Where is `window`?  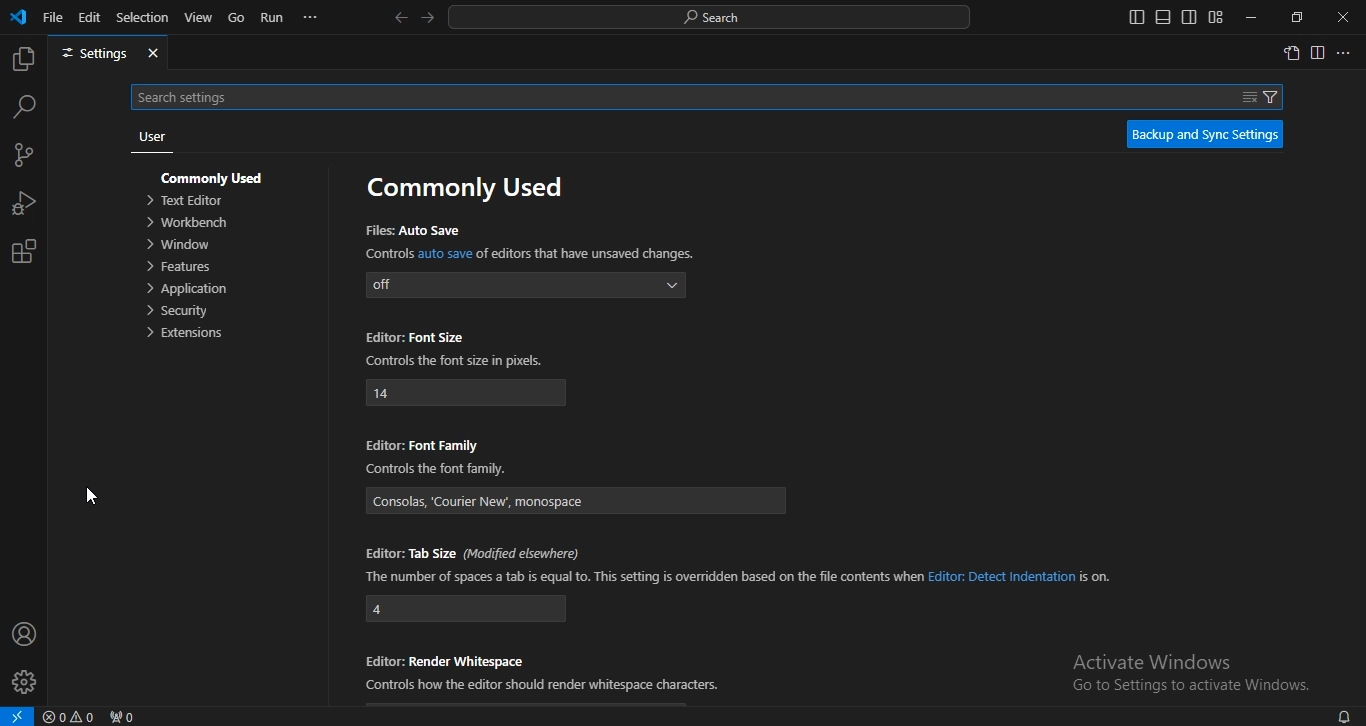
window is located at coordinates (179, 245).